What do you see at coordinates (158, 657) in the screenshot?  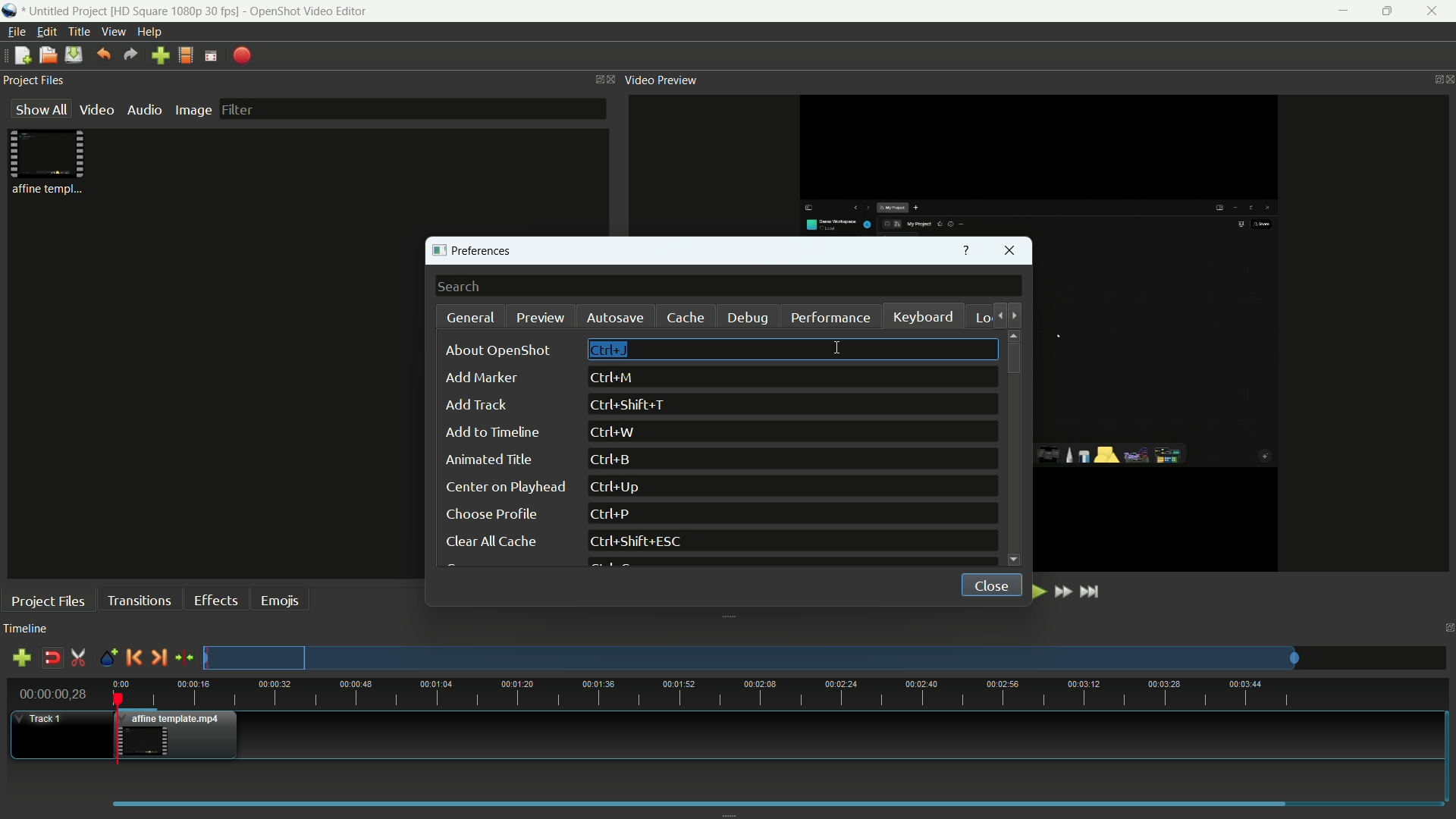 I see `next marker` at bounding box center [158, 657].